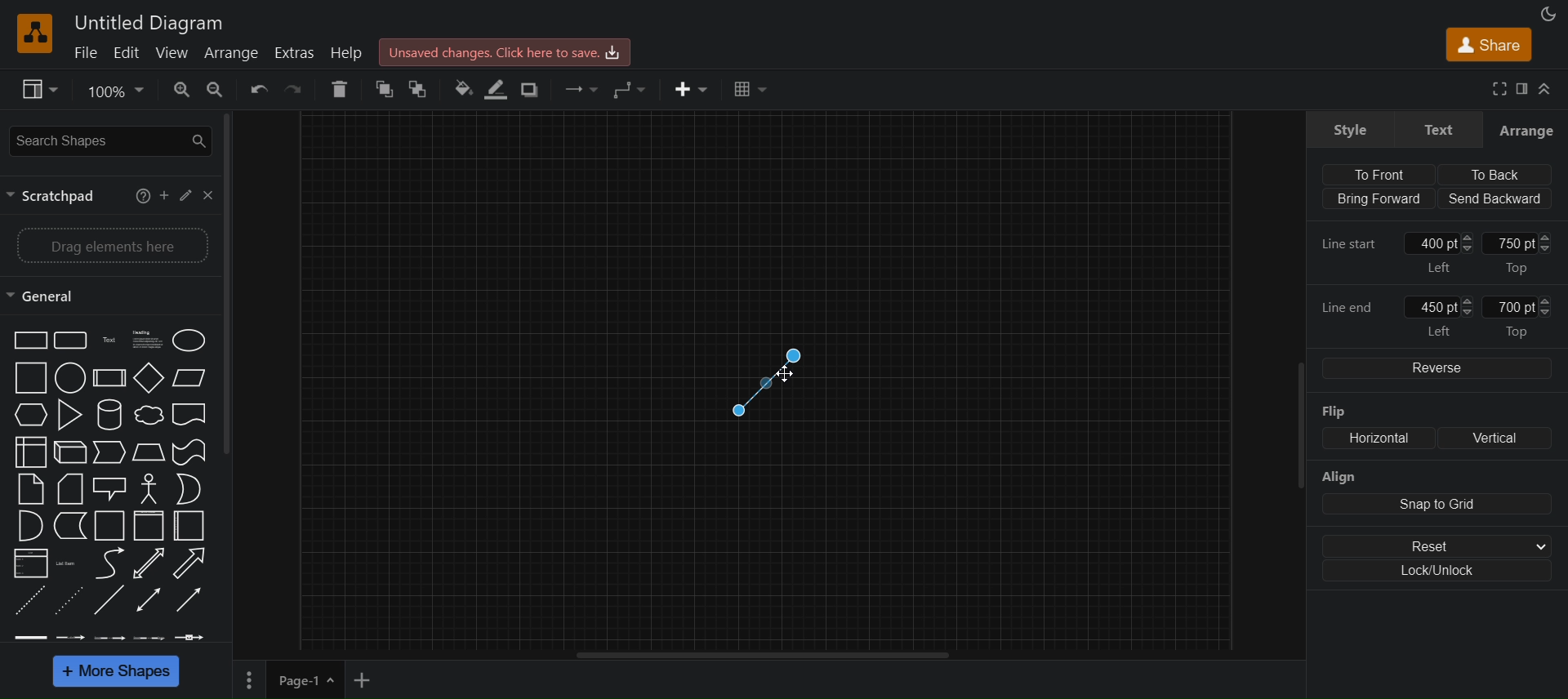 The height and width of the screenshot is (699, 1568). I want to click on Cloud, so click(147, 415).